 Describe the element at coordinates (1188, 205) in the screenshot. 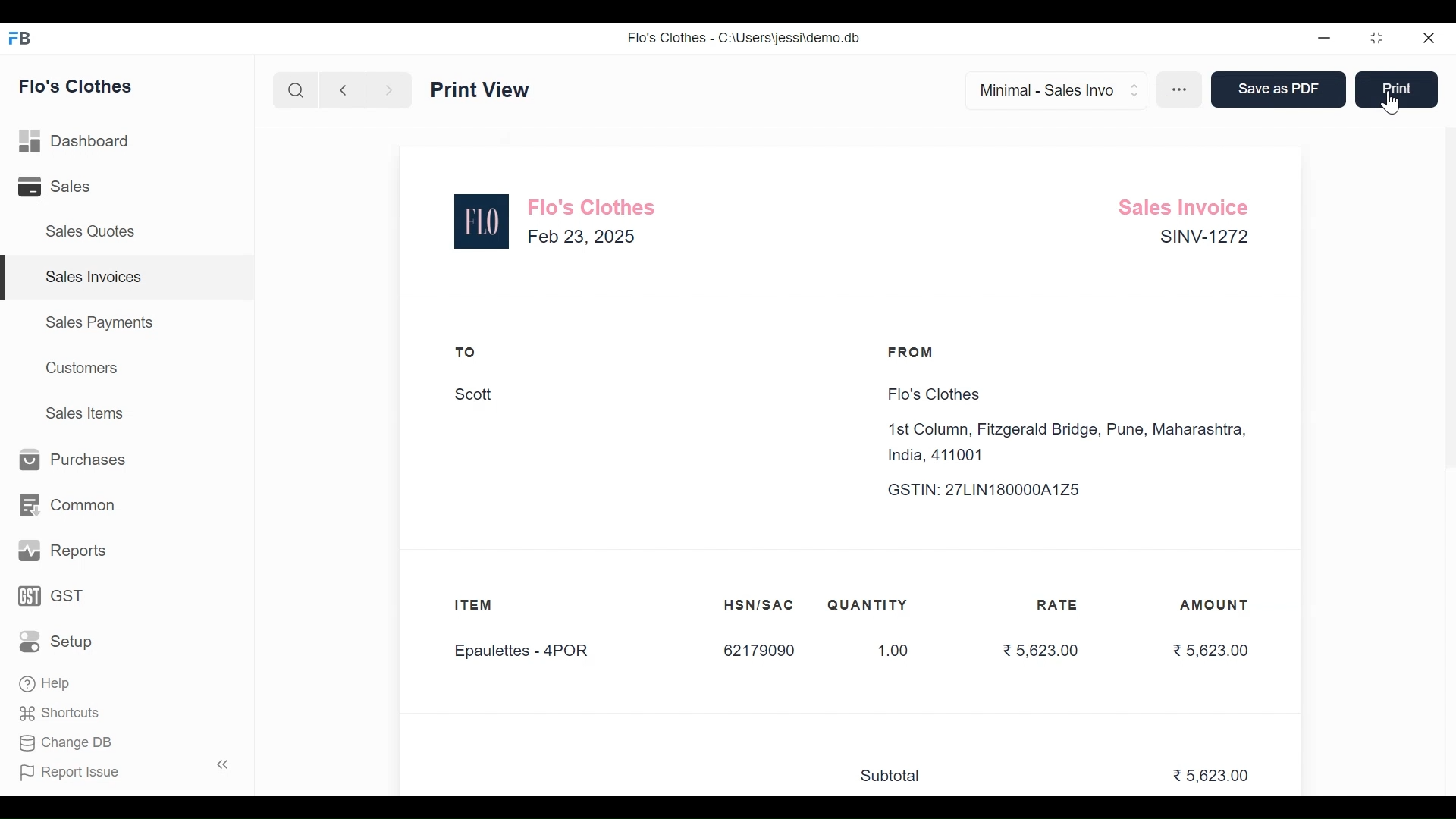

I see `Sales Invoice` at that location.